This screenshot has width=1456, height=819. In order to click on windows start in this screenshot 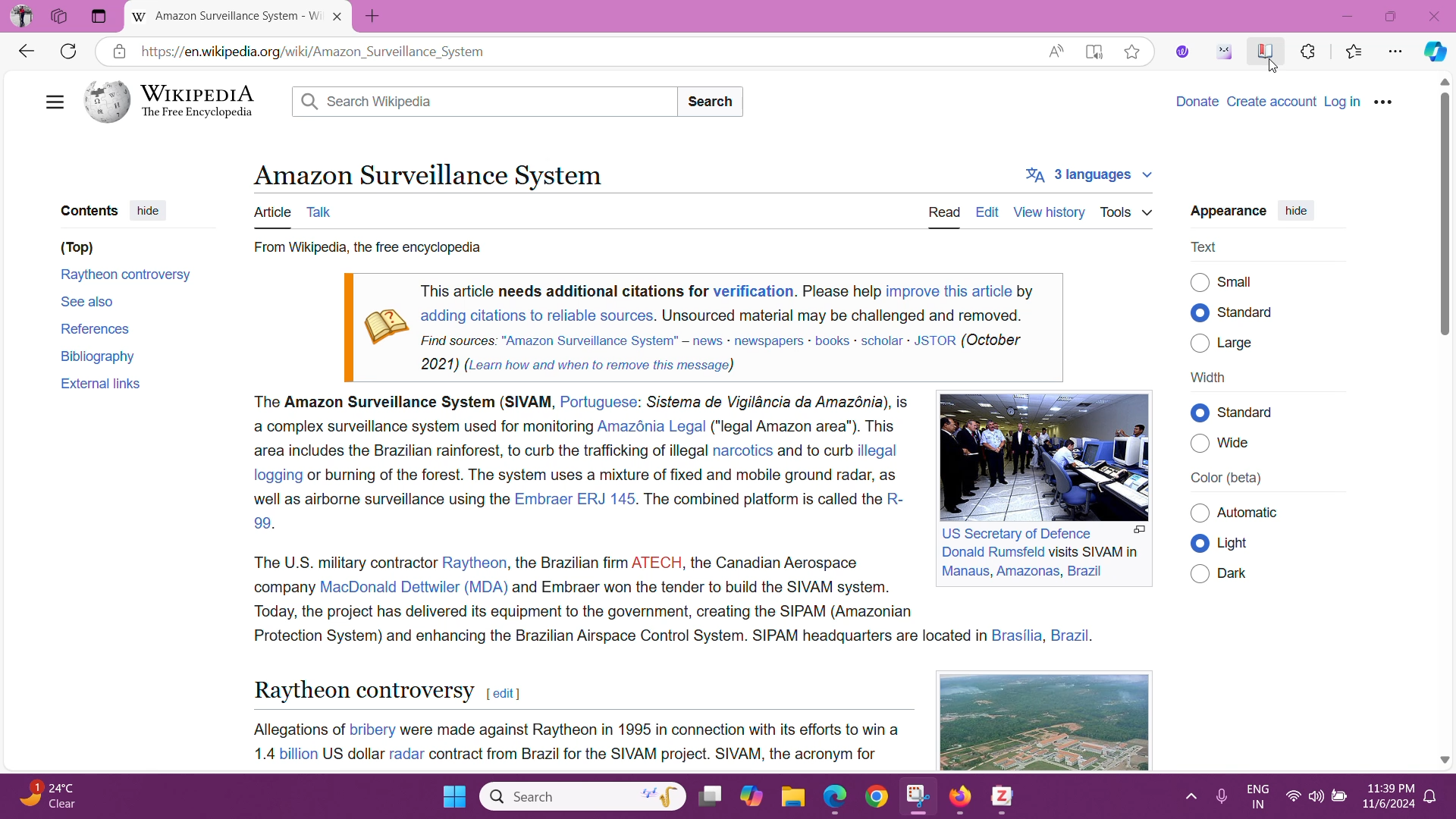, I will do `click(453, 797)`.